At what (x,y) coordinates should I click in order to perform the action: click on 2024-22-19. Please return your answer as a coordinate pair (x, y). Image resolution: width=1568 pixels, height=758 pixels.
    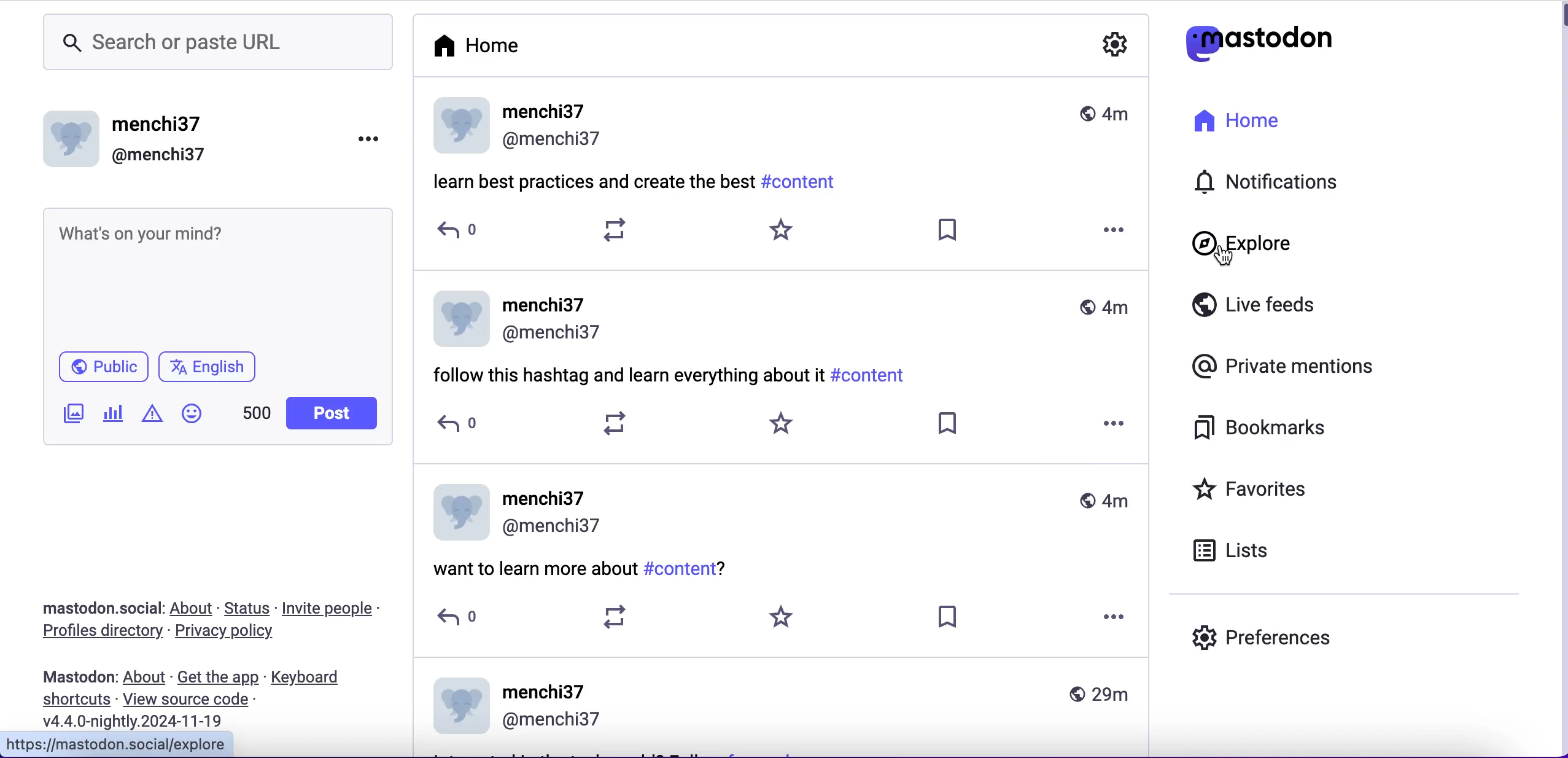
    Looking at the image, I should click on (140, 722).